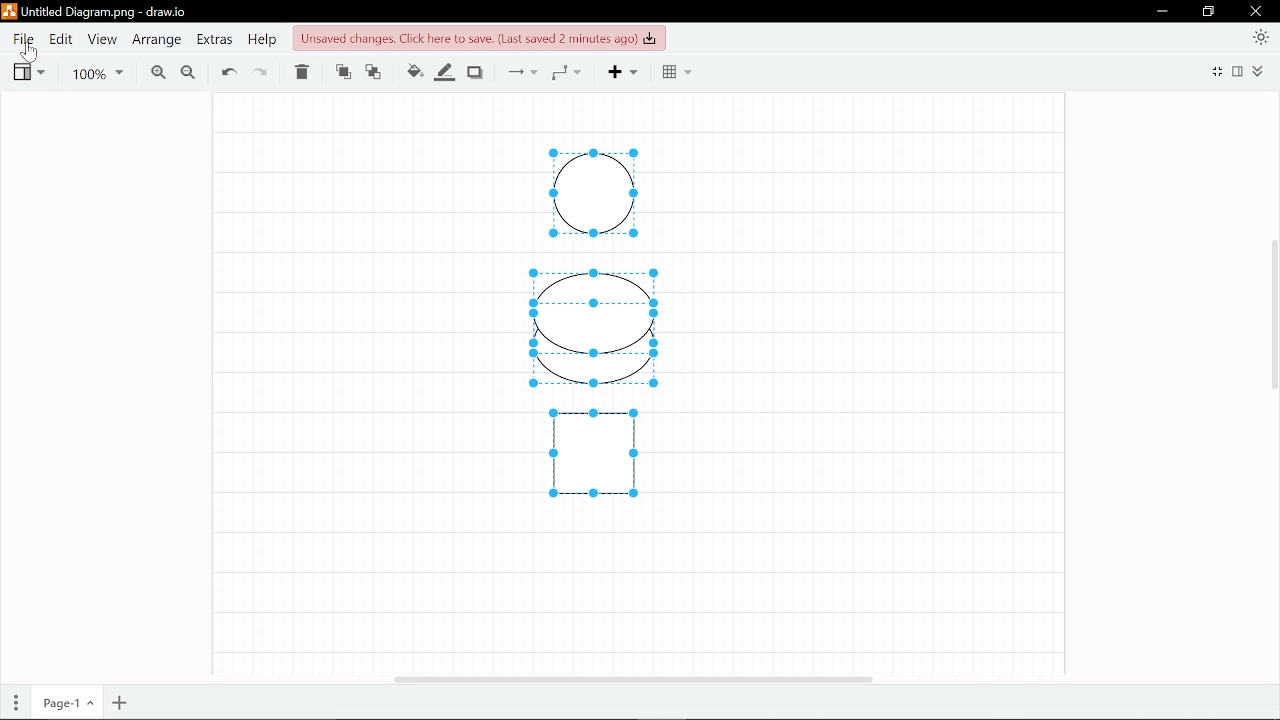  I want to click on Pages, so click(16, 701).